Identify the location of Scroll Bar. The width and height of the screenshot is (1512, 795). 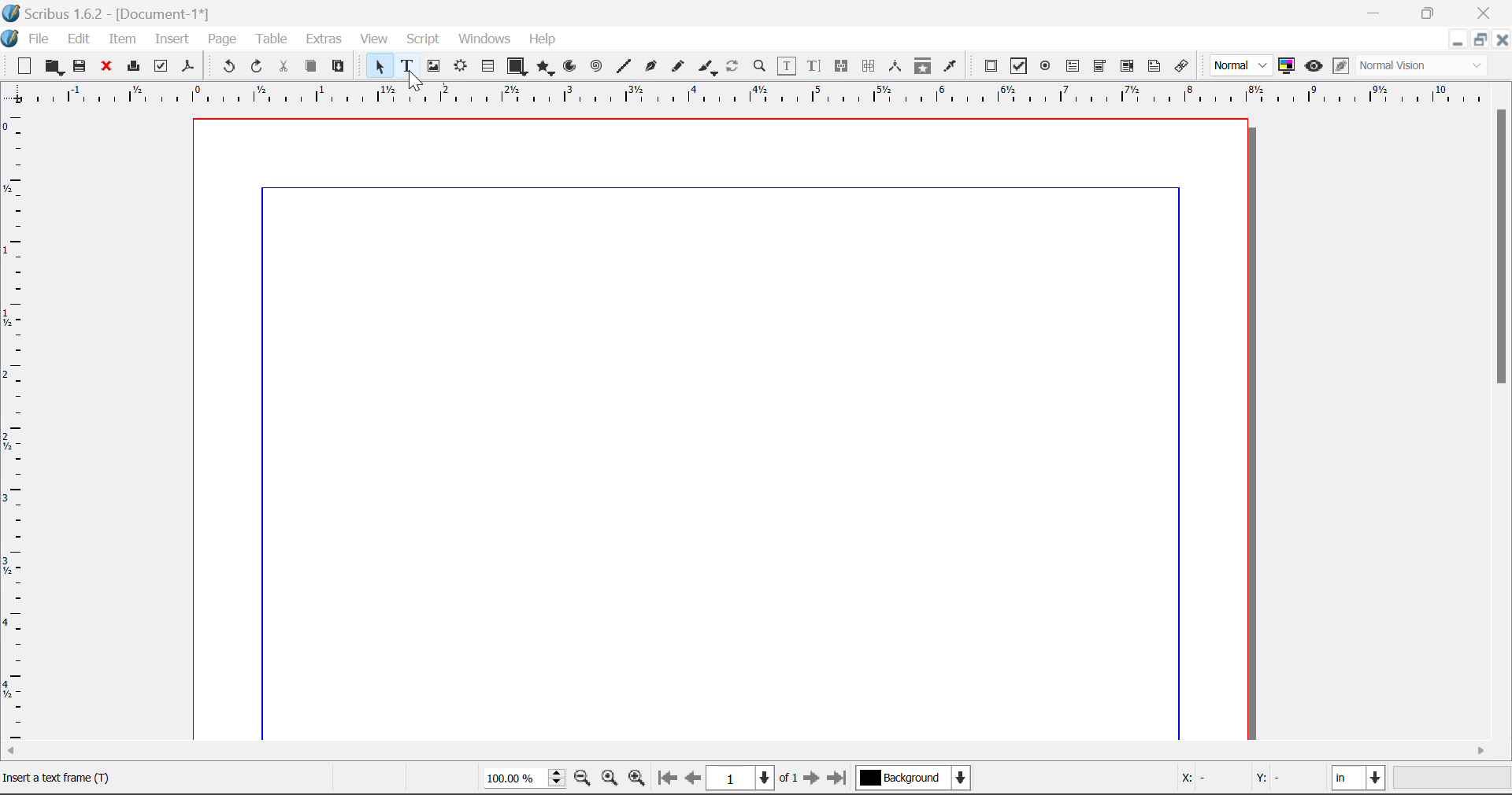
(1503, 420).